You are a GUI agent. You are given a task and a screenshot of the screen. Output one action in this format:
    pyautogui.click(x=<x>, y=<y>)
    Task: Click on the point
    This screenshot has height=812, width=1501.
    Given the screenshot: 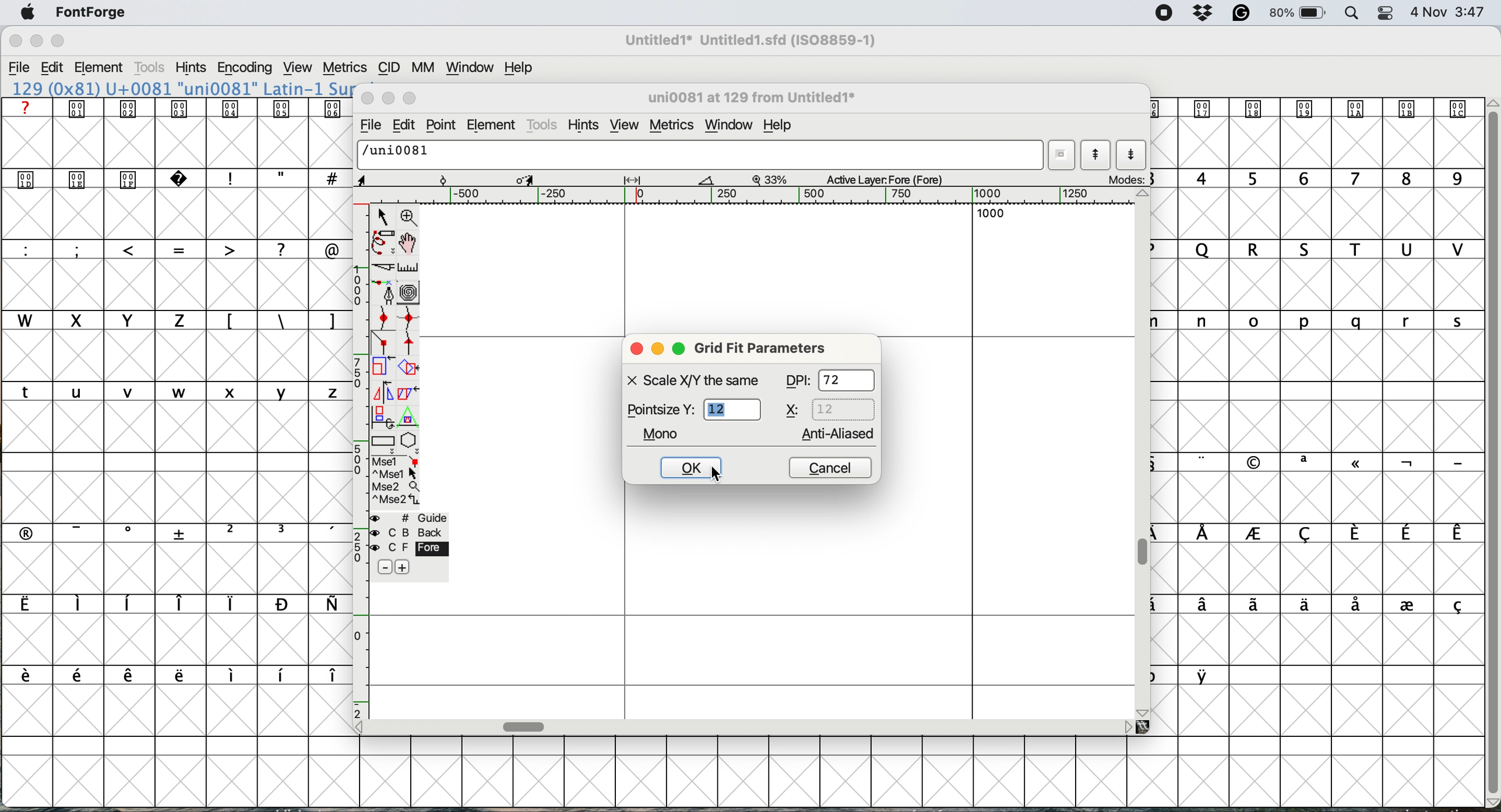 What is the action you would take?
    pyautogui.click(x=440, y=125)
    